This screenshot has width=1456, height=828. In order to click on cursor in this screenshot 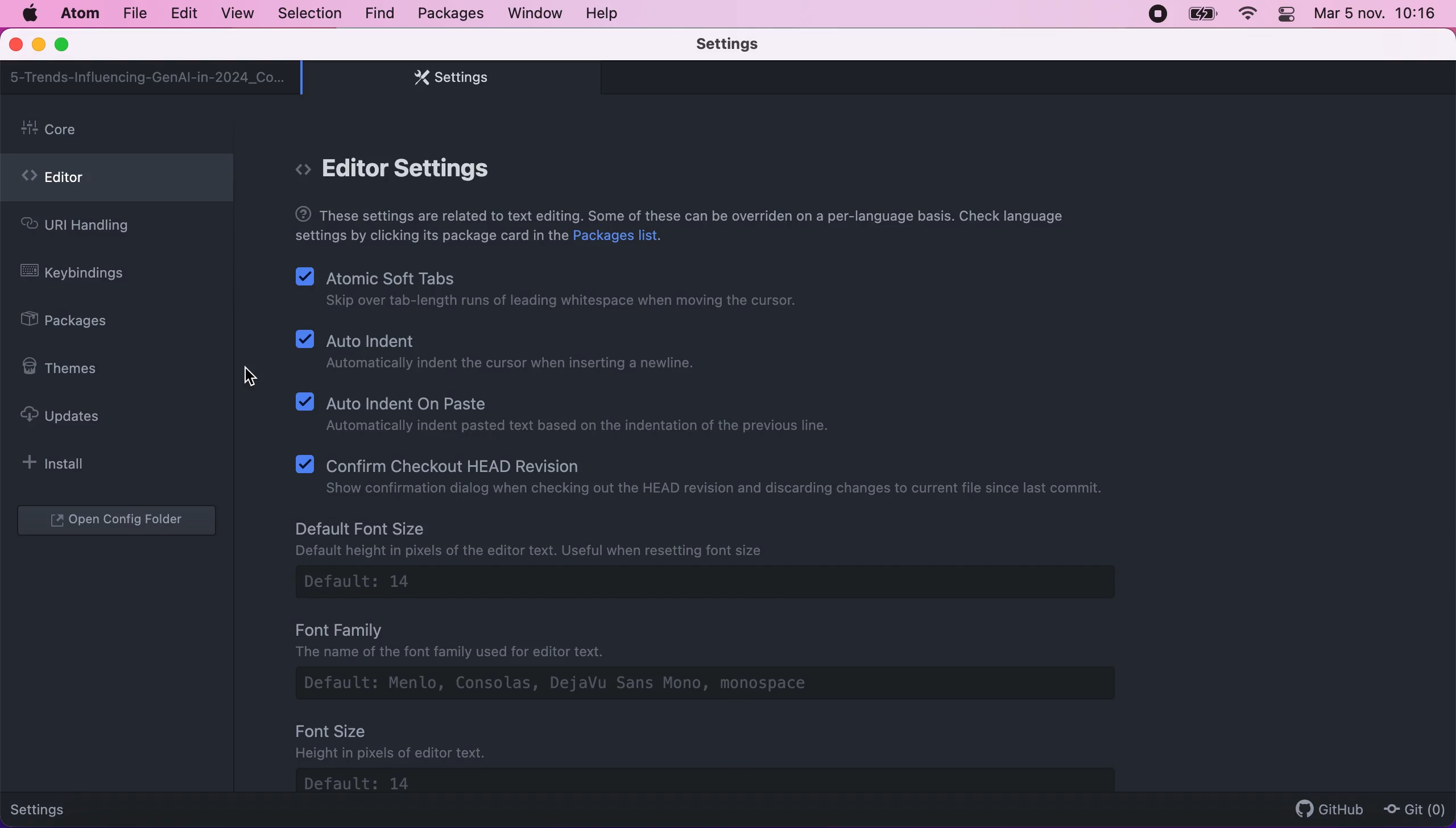, I will do `click(250, 376)`.